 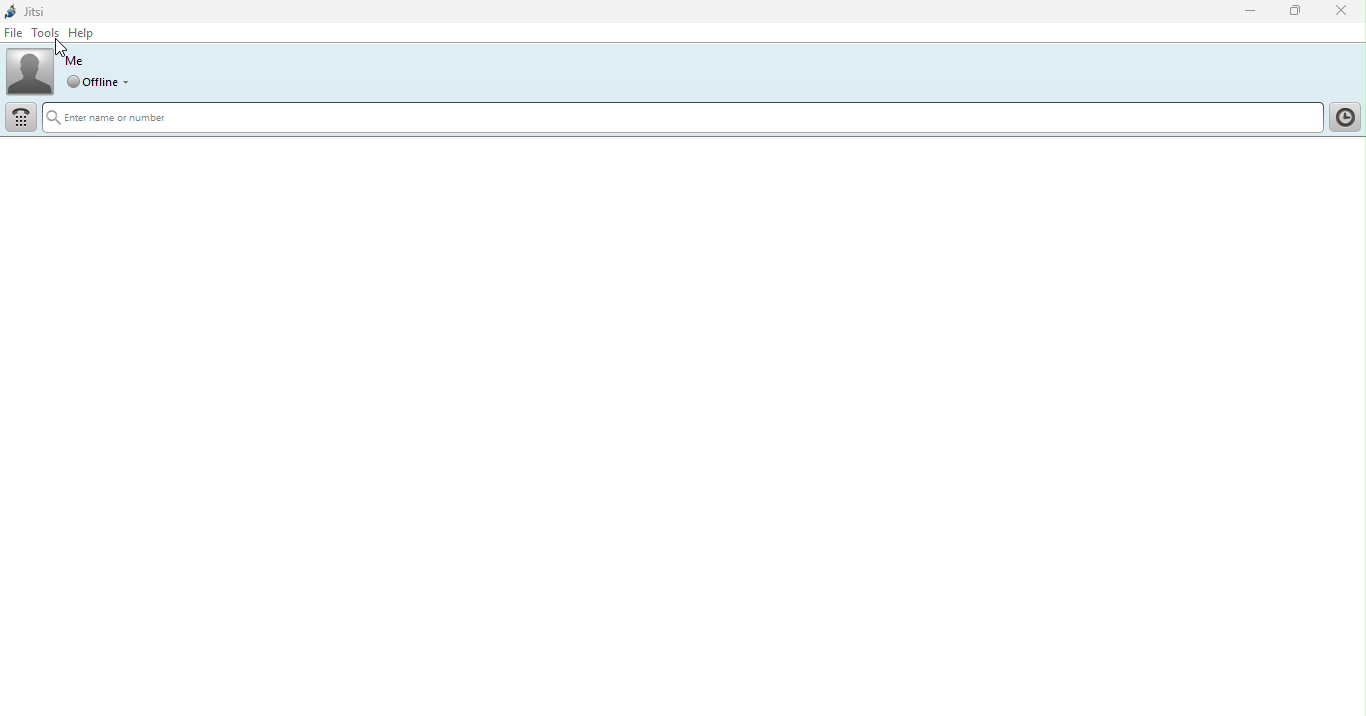 What do you see at coordinates (75, 61) in the screenshot?
I see `Me` at bounding box center [75, 61].